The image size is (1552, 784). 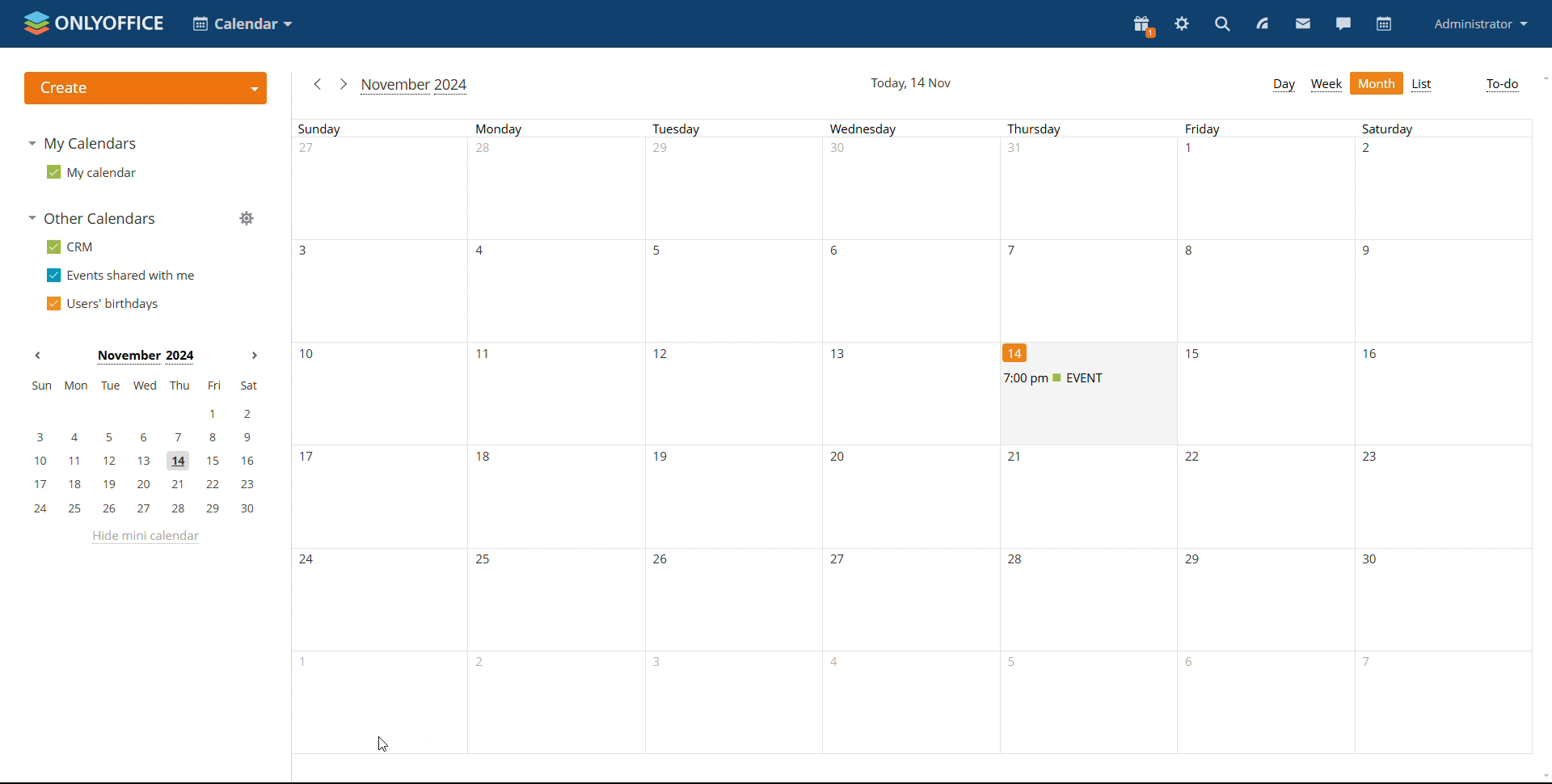 I want to click on chat, so click(x=1341, y=23).